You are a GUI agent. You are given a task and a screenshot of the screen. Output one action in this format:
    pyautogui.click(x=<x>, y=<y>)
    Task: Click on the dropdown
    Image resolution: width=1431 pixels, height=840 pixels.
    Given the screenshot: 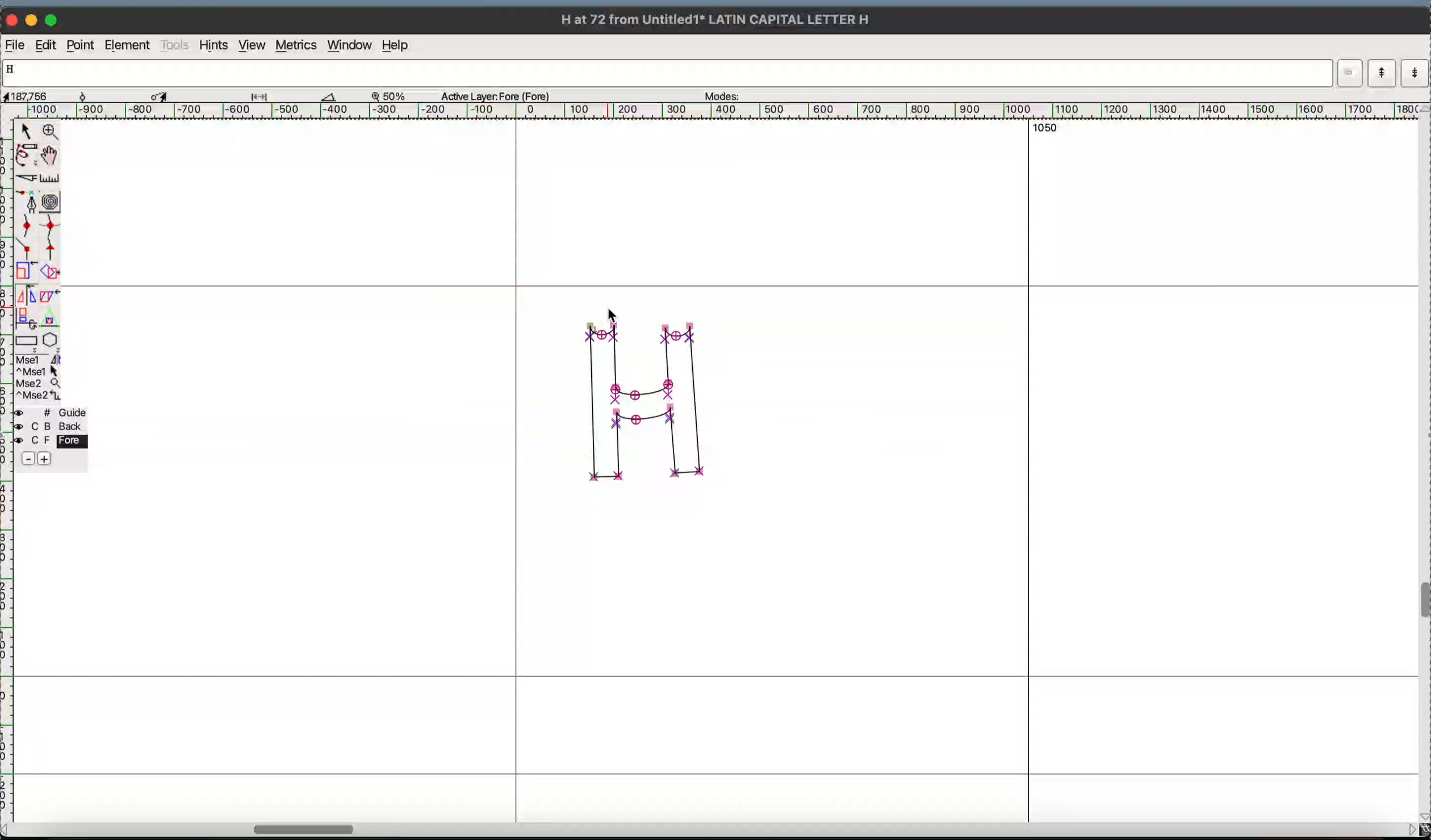 What is the action you would take?
    pyautogui.click(x=1351, y=73)
    